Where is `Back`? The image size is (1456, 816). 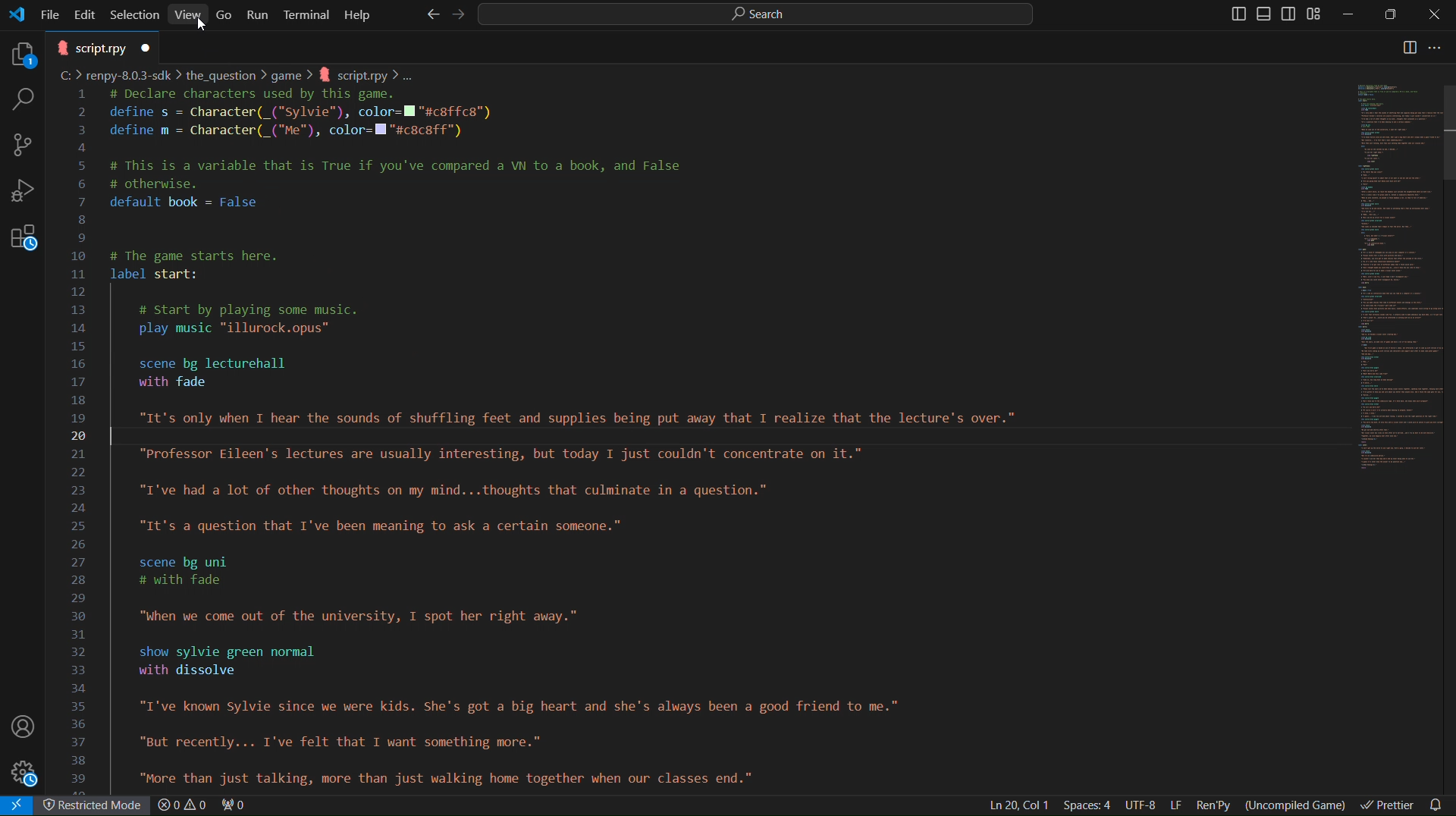 Back is located at coordinates (430, 14).